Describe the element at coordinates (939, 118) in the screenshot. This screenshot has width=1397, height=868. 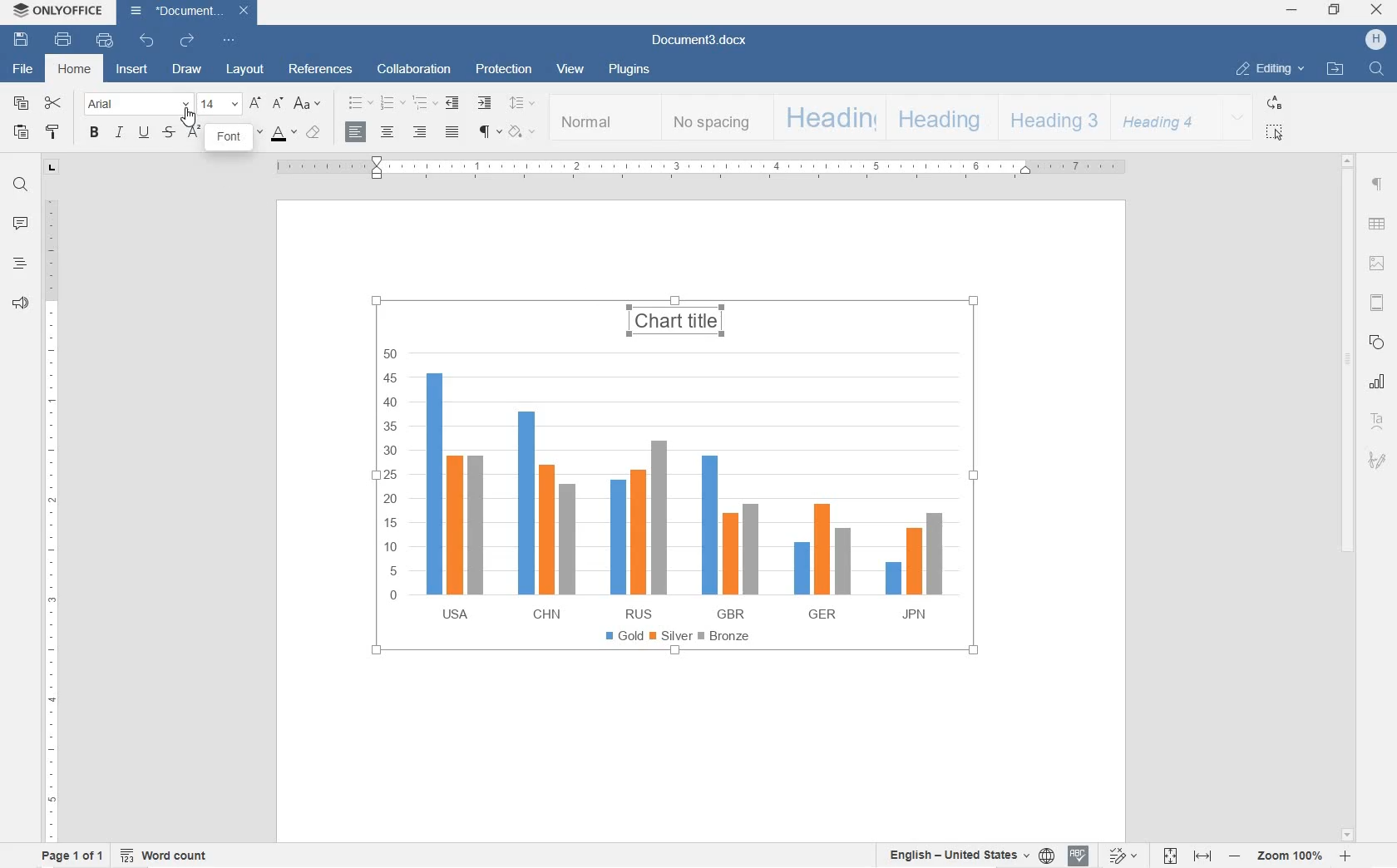
I see `HEADING 2` at that location.